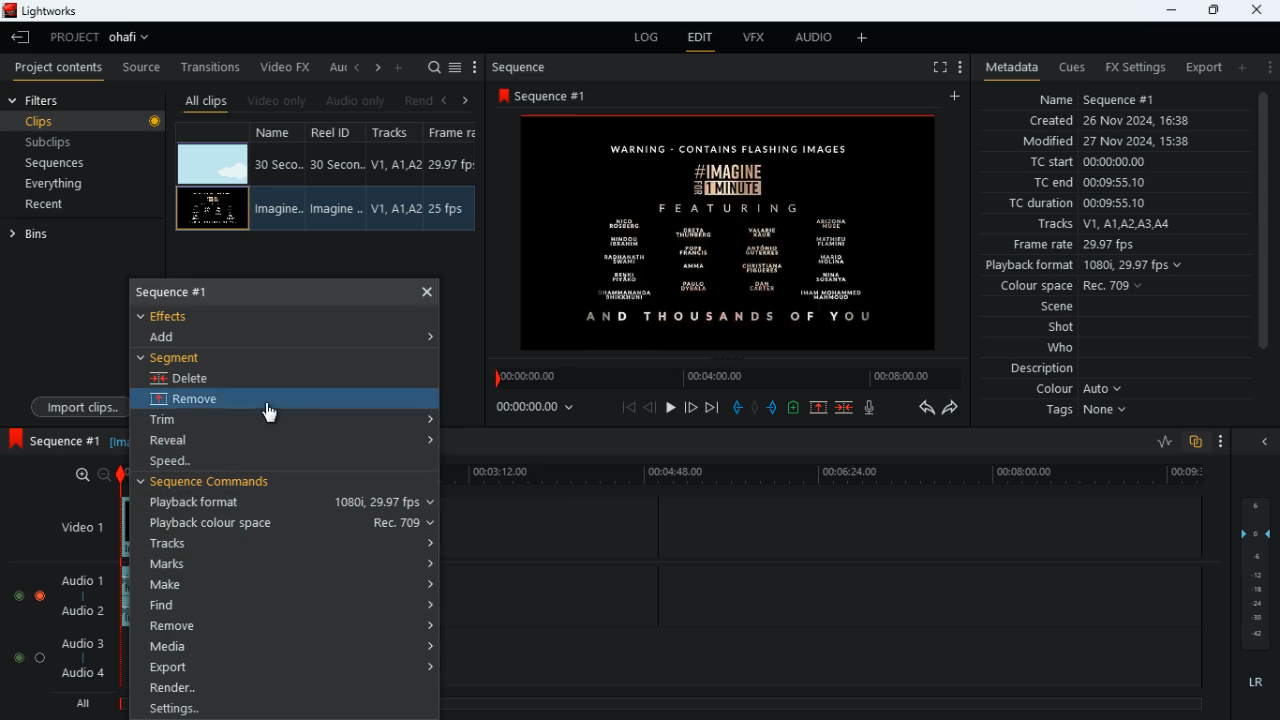 The height and width of the screenshot is (720, 1280). Describe the element at coordinates (1167, 10) in the screenshot. I see `minimize` at that location.